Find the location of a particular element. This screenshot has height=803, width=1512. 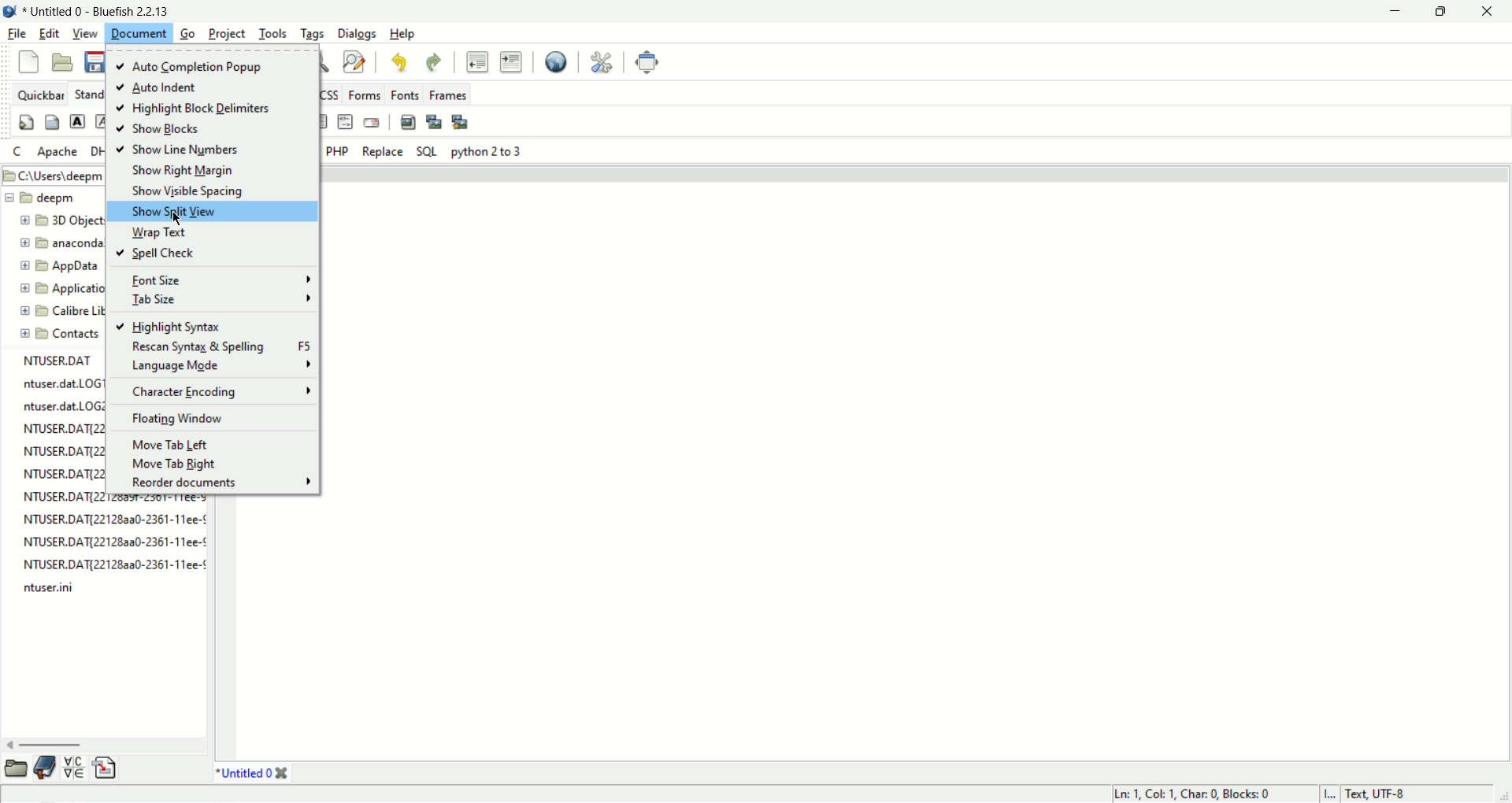

find and replace is located at coordinates (354, 62).